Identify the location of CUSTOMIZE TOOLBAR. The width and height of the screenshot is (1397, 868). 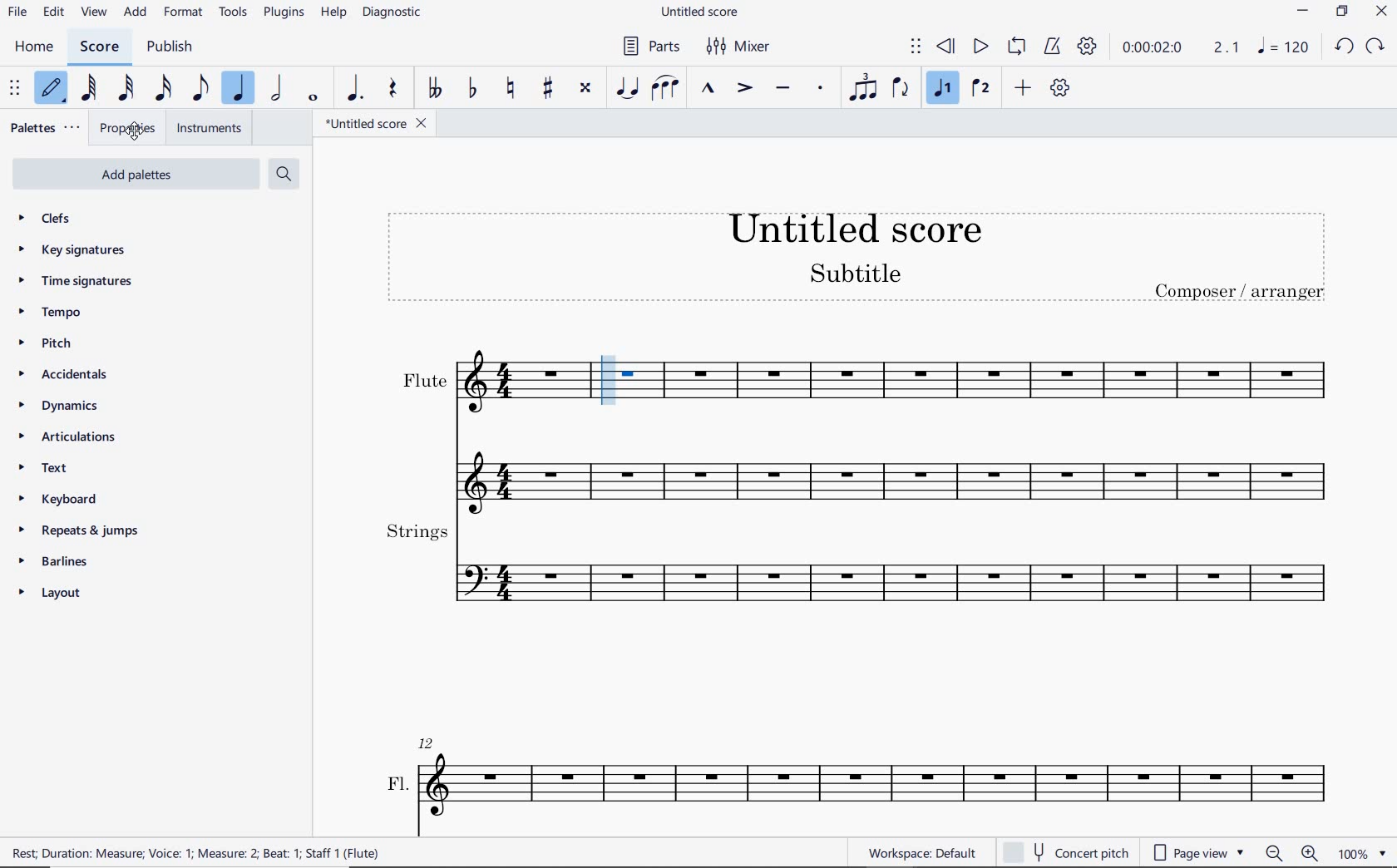
(1060, 88).